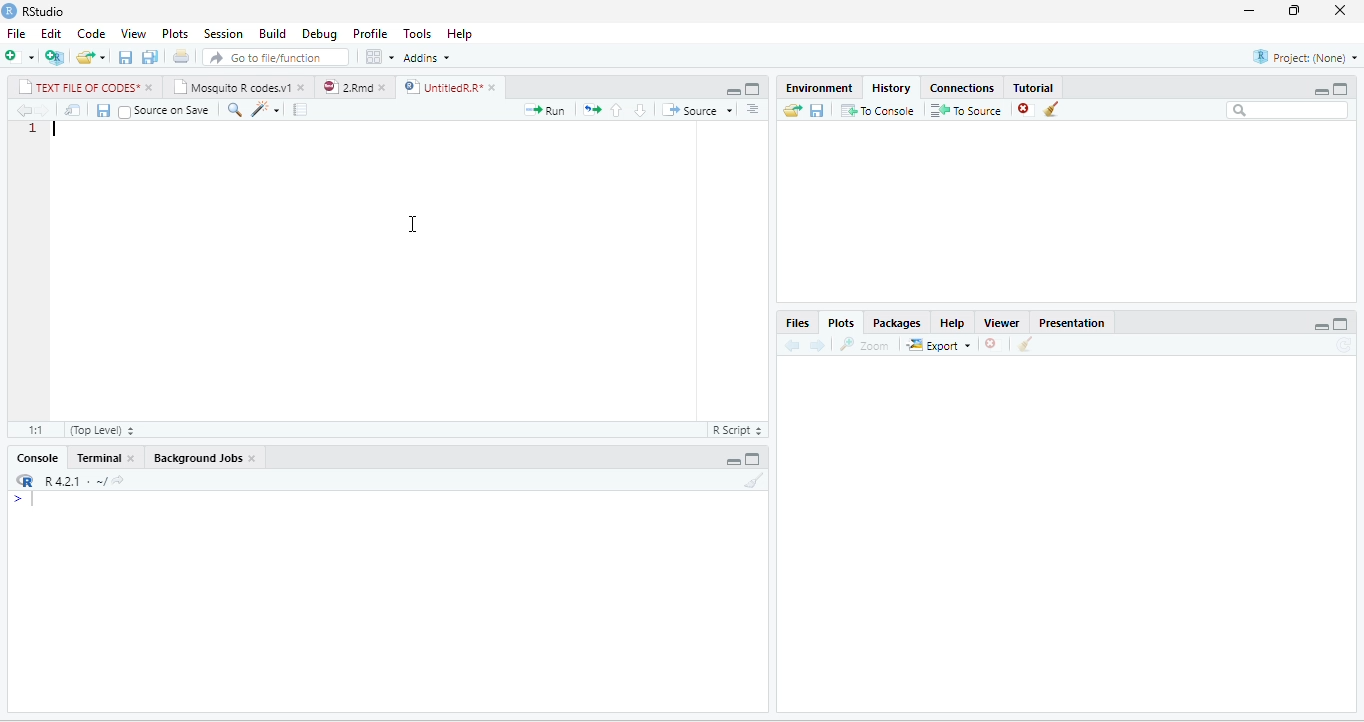 The width and height of the screenshot is (1364, 722). I want to click on Export, so click(940, 344).